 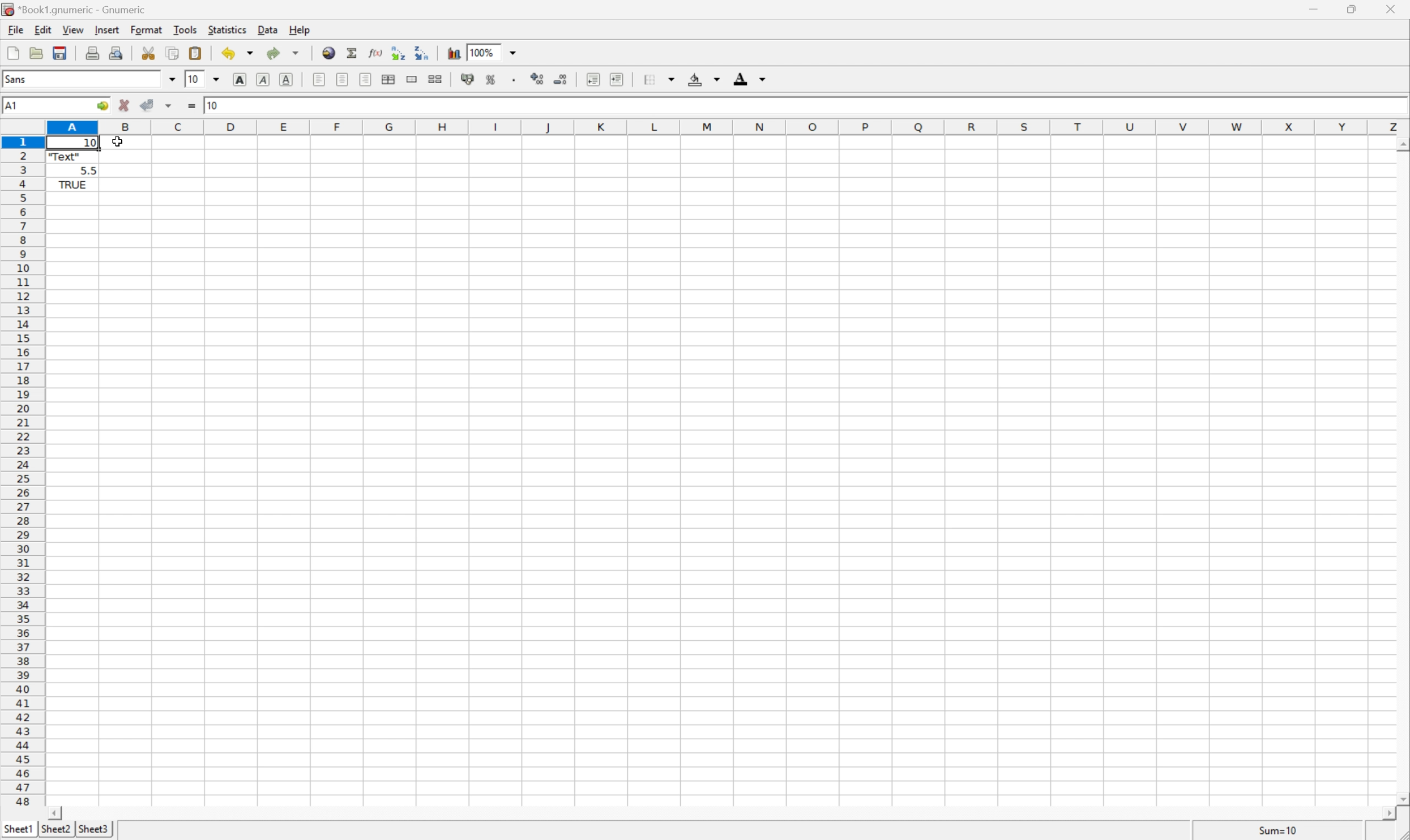 What do you see at coordinates (1391, 8) in the screenshot?
I see `Close` at bounding box center [1391, 8].